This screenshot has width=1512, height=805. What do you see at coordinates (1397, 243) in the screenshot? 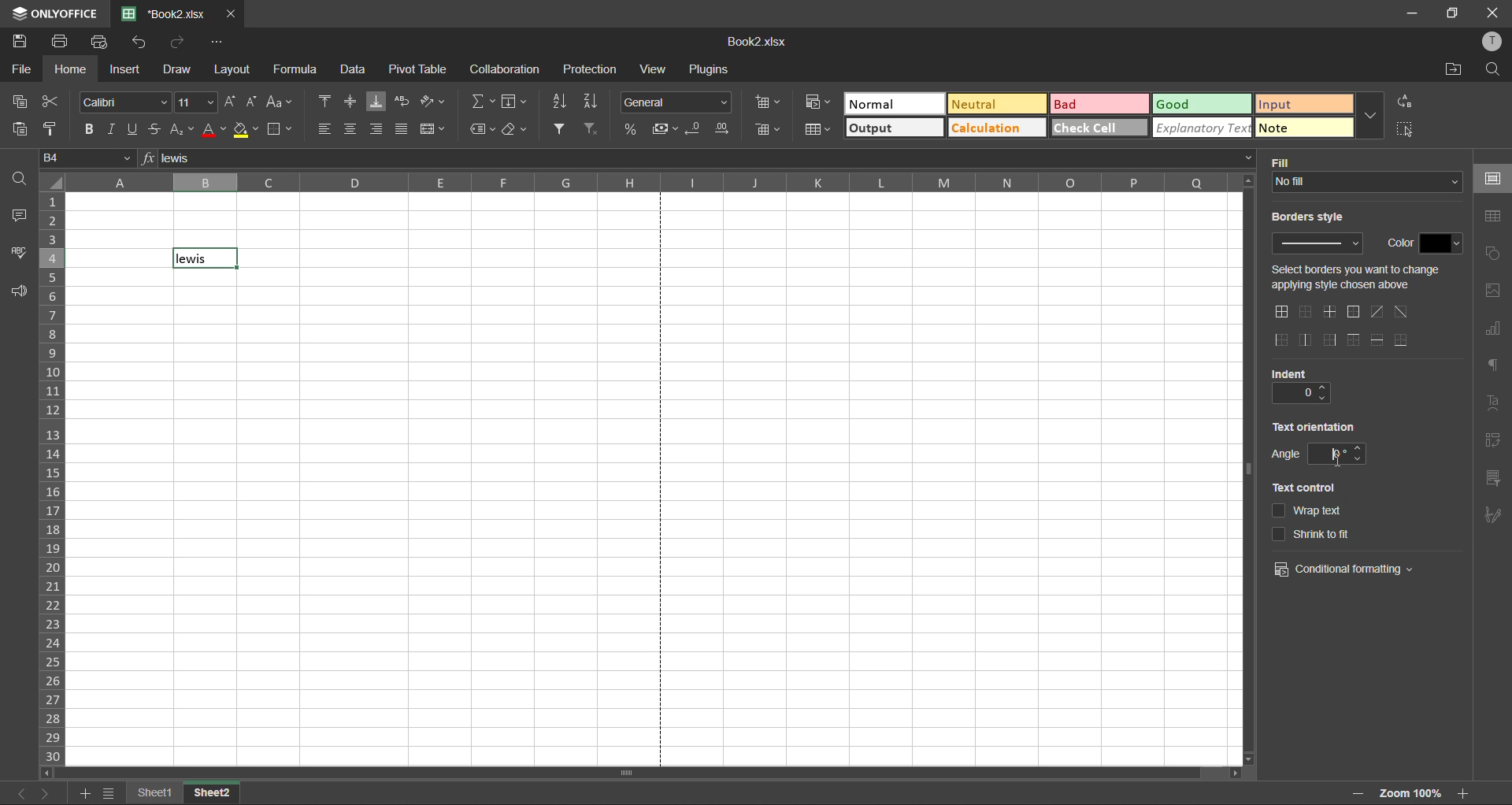
I see `color` at bounding box center [1397, 243].